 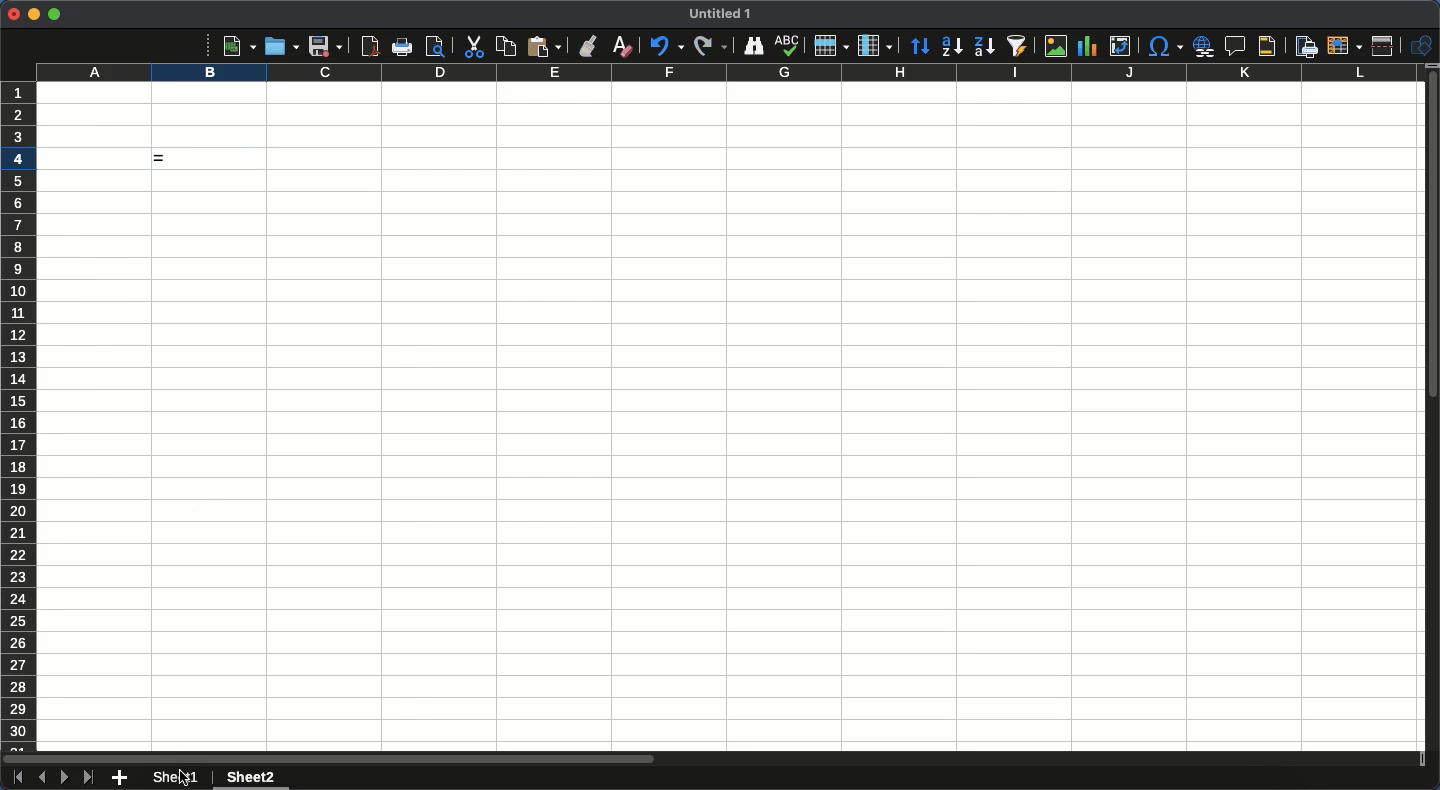 What do you see at coordinates (983, 47) in the screenshot?
I see `Descending` at bounding box center [983, 47].